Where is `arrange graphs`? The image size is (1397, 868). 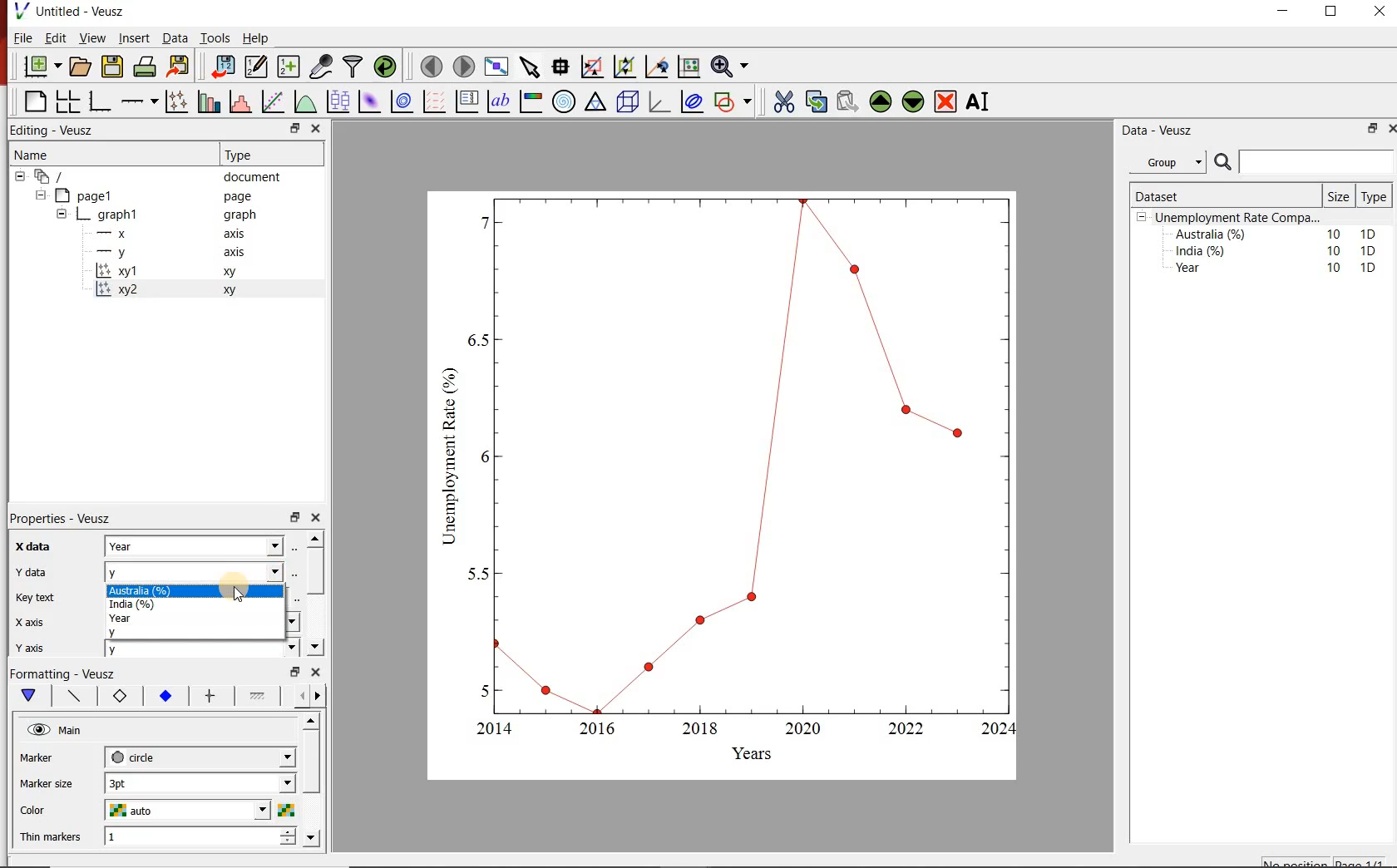
arrange graphs is located at coordinates (67, 101).